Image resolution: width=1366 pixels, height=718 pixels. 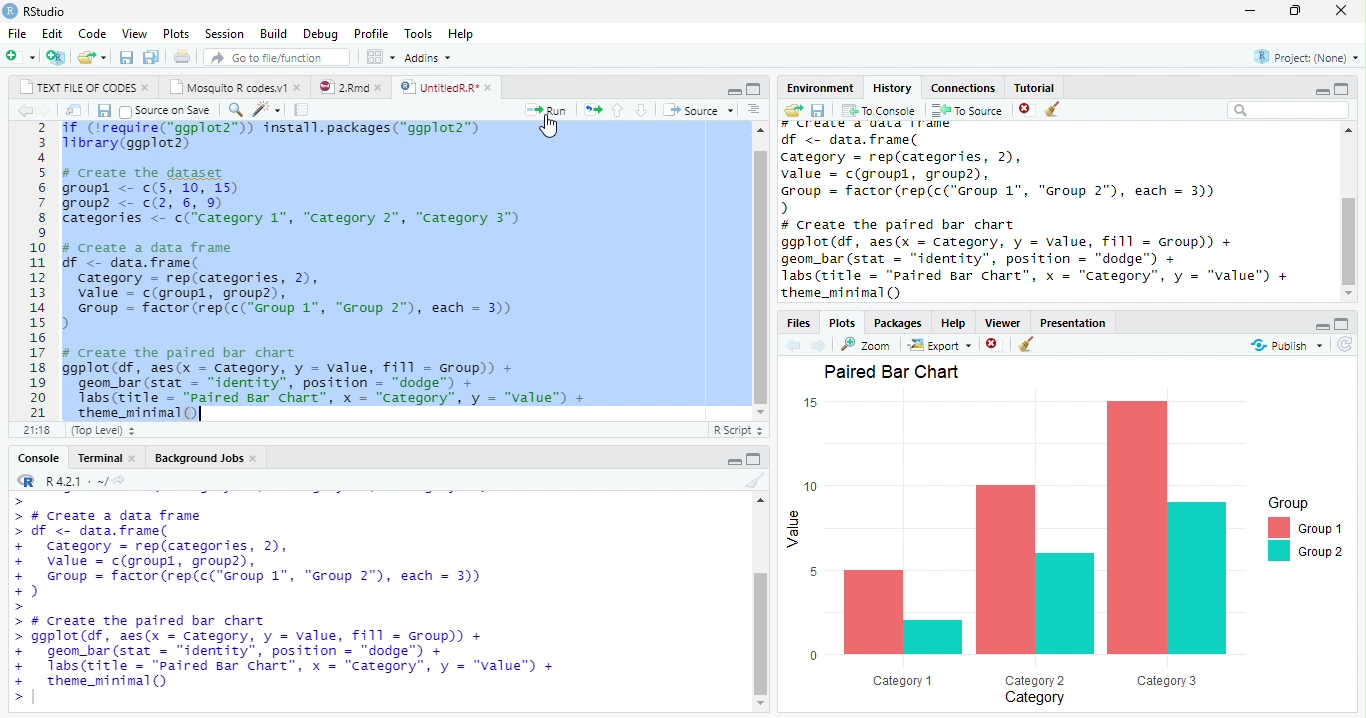 What do you see at coordinates (733, 90) in the screenshot?
I see `minimize` at bounding box center [733, 90].